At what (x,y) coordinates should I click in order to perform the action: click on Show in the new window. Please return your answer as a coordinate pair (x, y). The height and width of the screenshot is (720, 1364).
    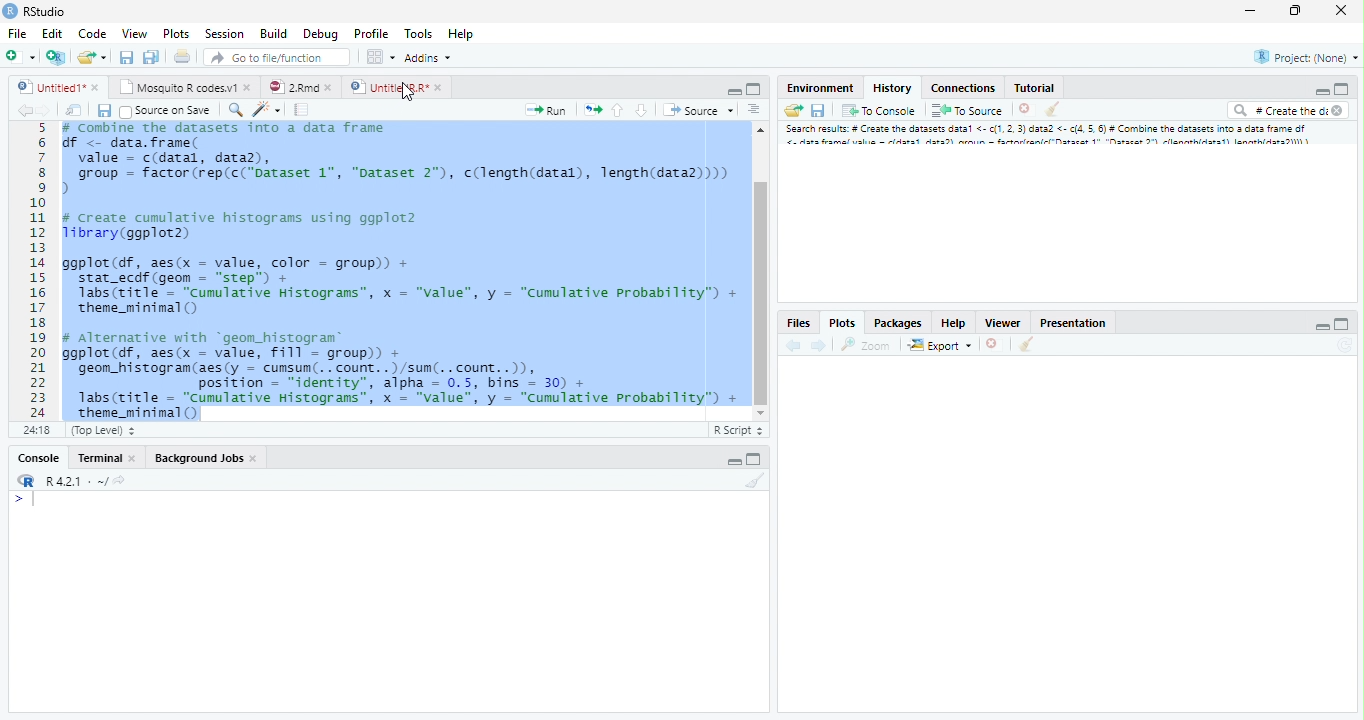
    Looking at the image, I should click on (72, 110).